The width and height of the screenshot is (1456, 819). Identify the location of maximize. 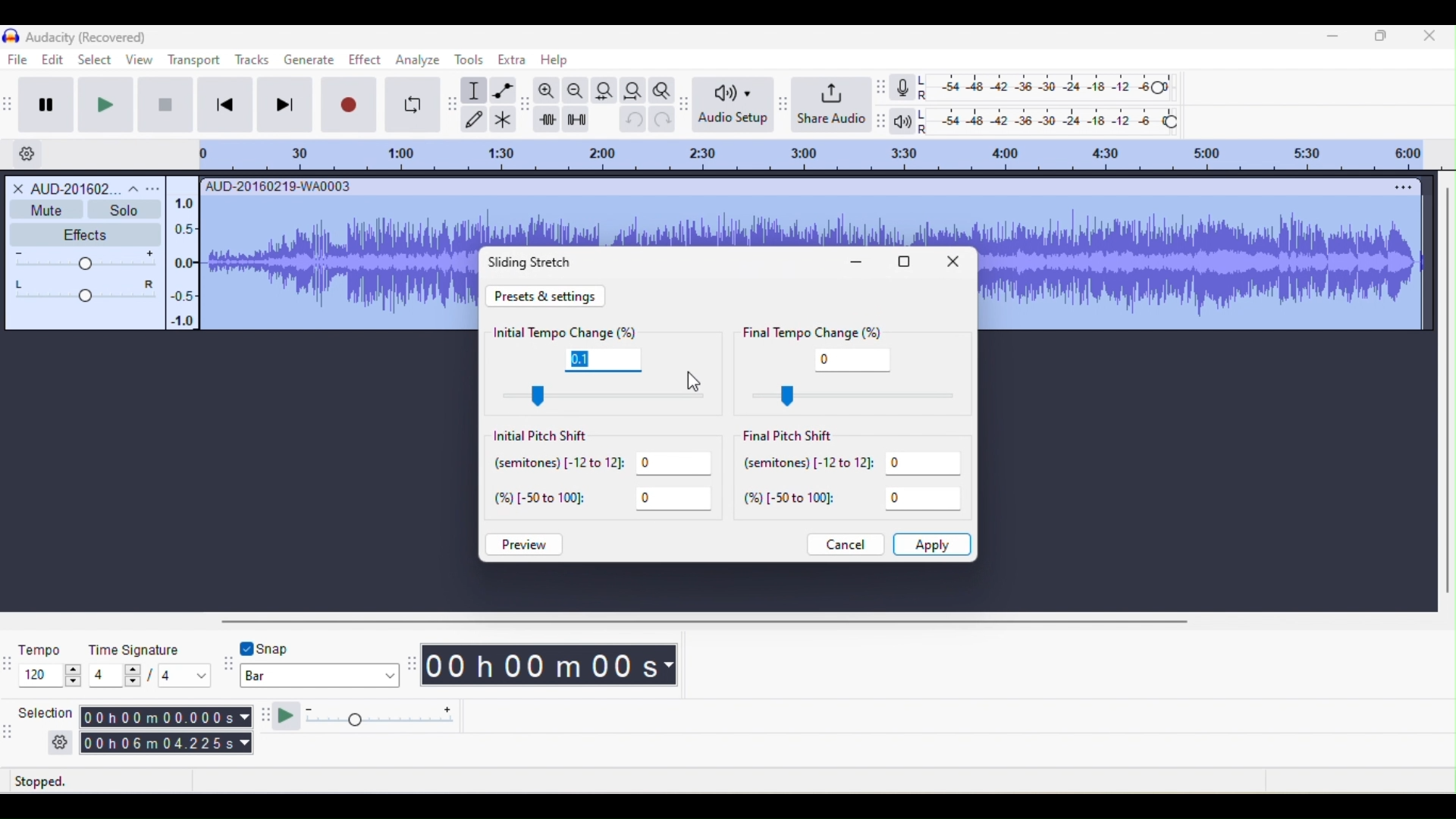
(905, 263).